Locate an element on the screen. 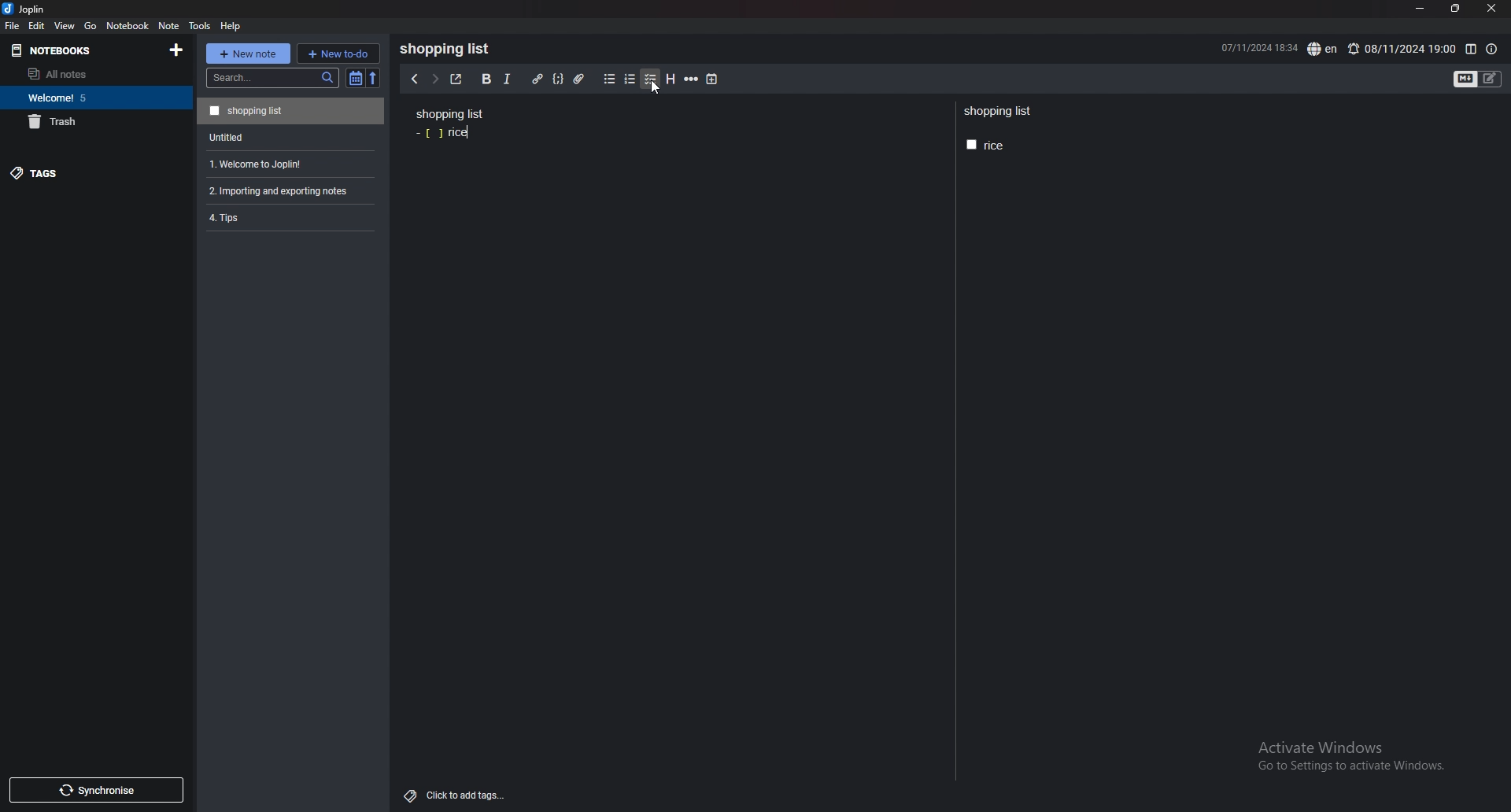  file is located at coordinates (13, 26).